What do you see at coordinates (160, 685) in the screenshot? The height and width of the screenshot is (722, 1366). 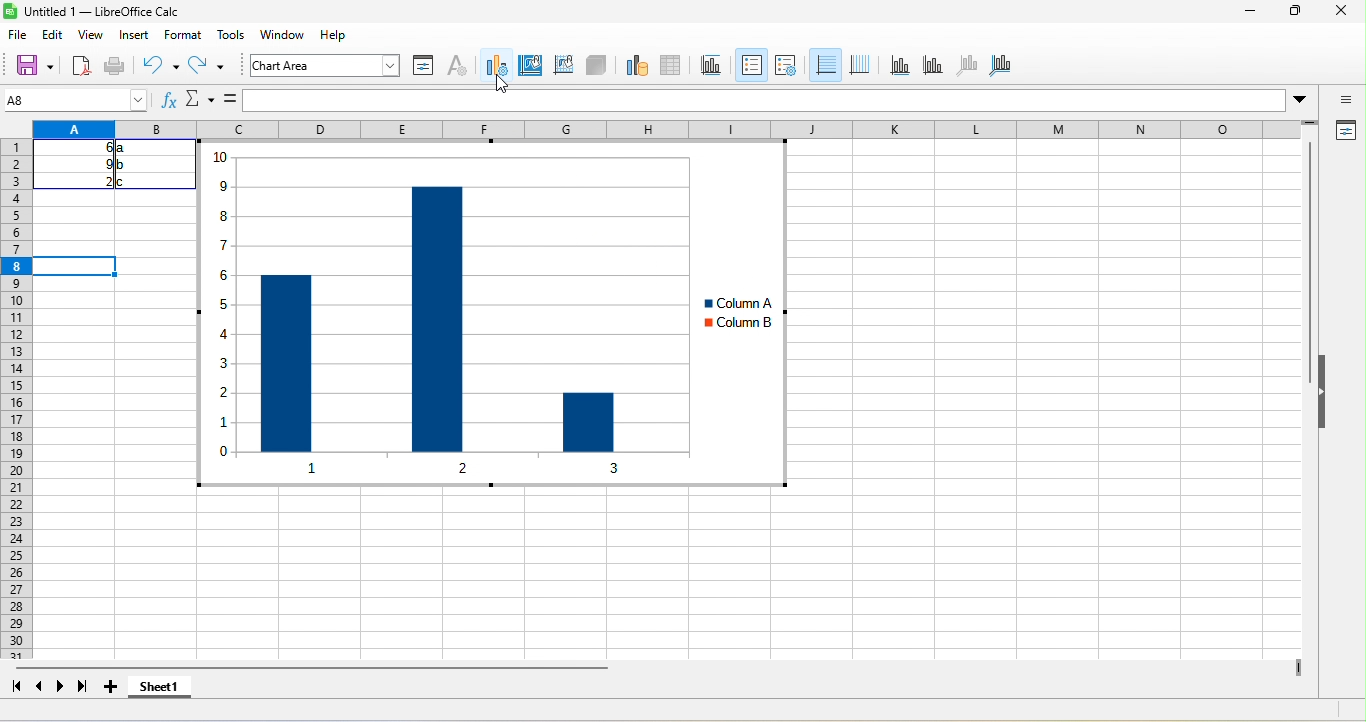 I see `sheet 1` at bounding box center [160, 685].